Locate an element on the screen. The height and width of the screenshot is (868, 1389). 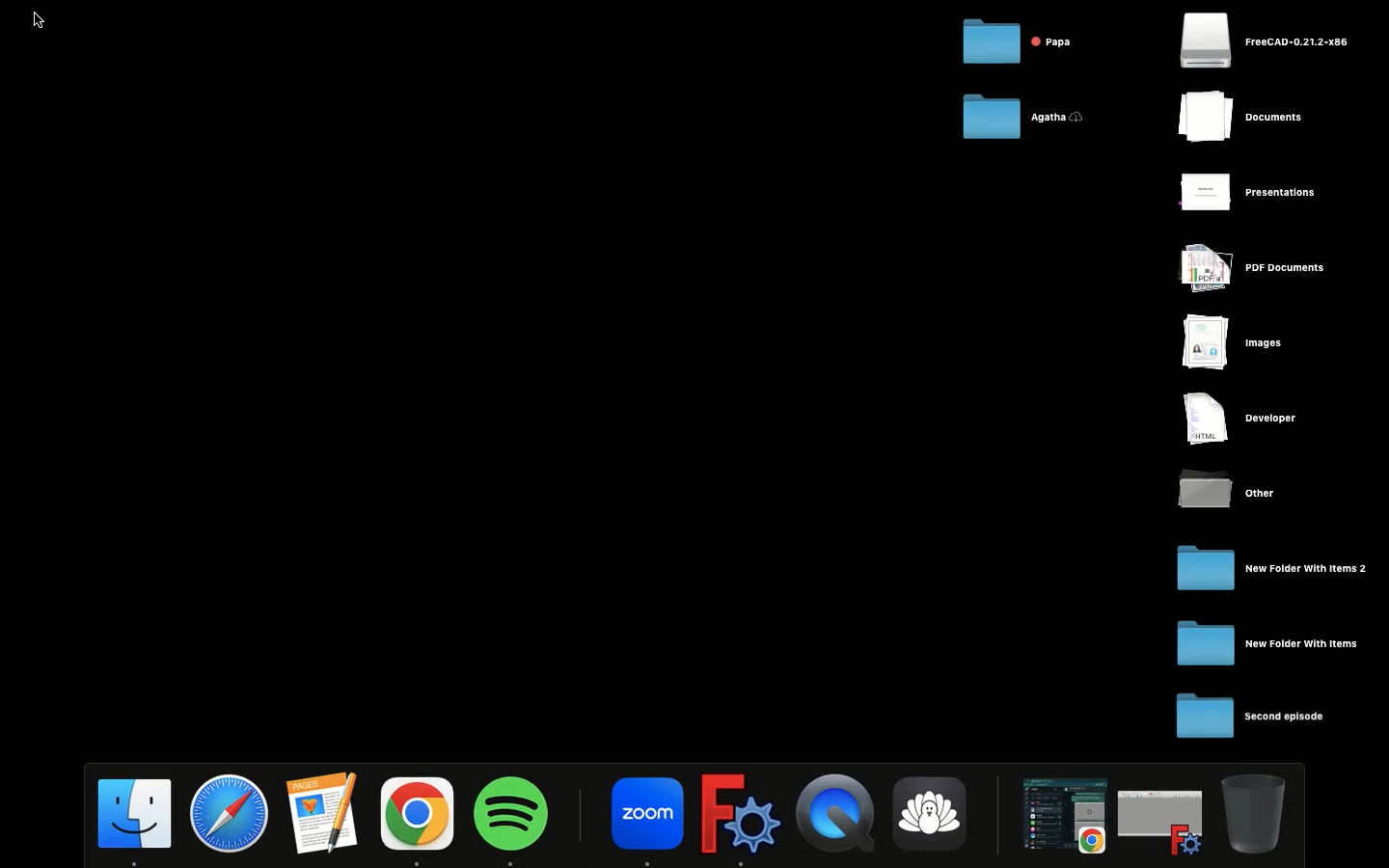
Images is located at coordinates (1237, 343).